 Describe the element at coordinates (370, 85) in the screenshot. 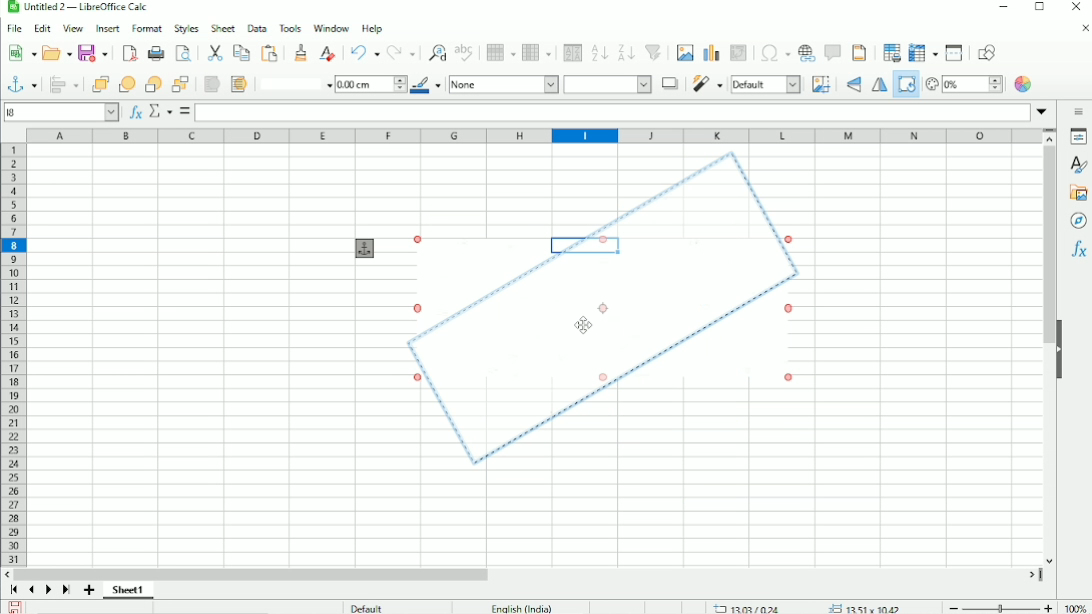

I see `1.00 cm` at that location.